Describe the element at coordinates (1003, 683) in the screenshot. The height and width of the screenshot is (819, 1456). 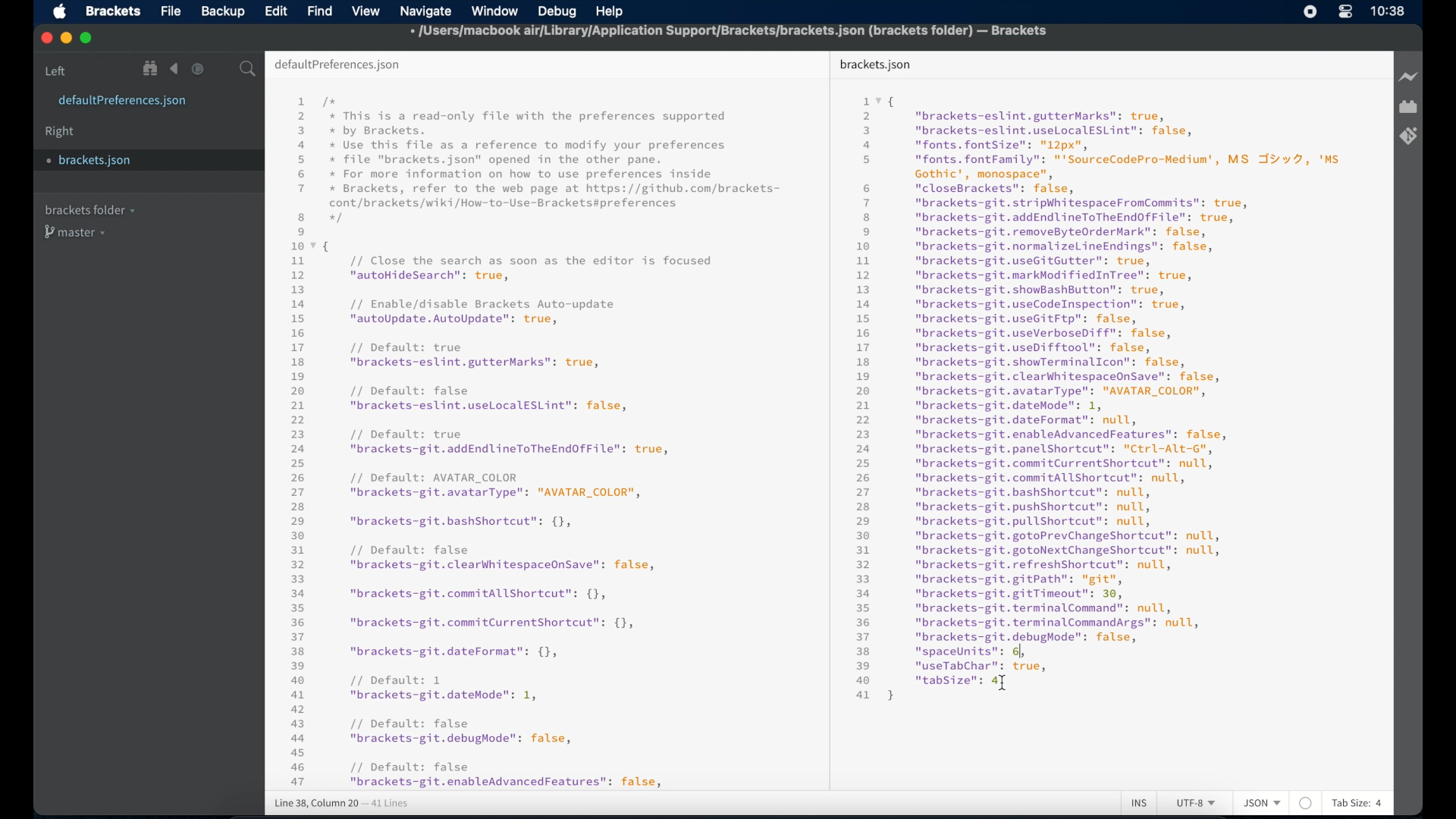
I see `I beam cursor` at that location.